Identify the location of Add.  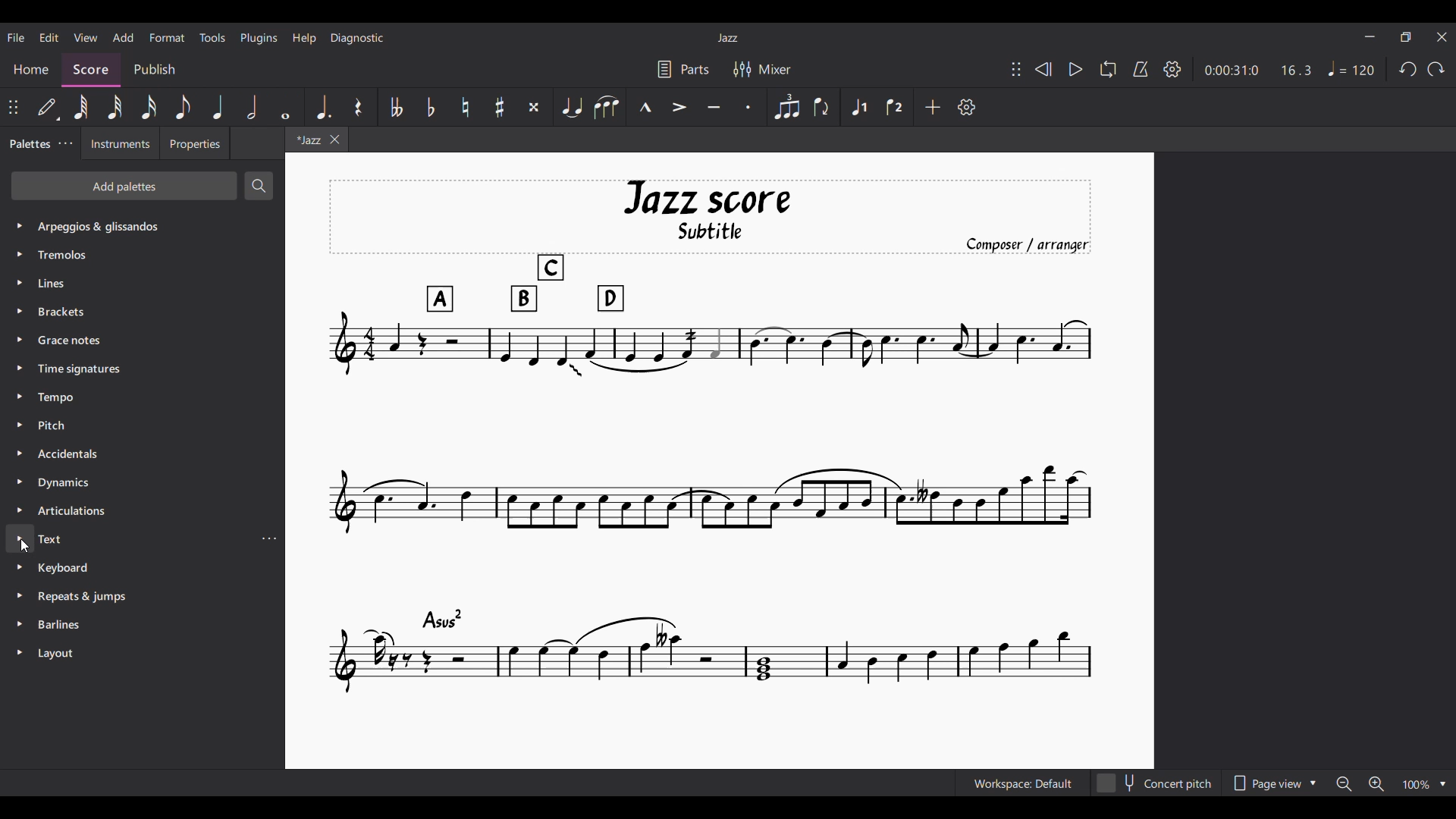
(933, 107).